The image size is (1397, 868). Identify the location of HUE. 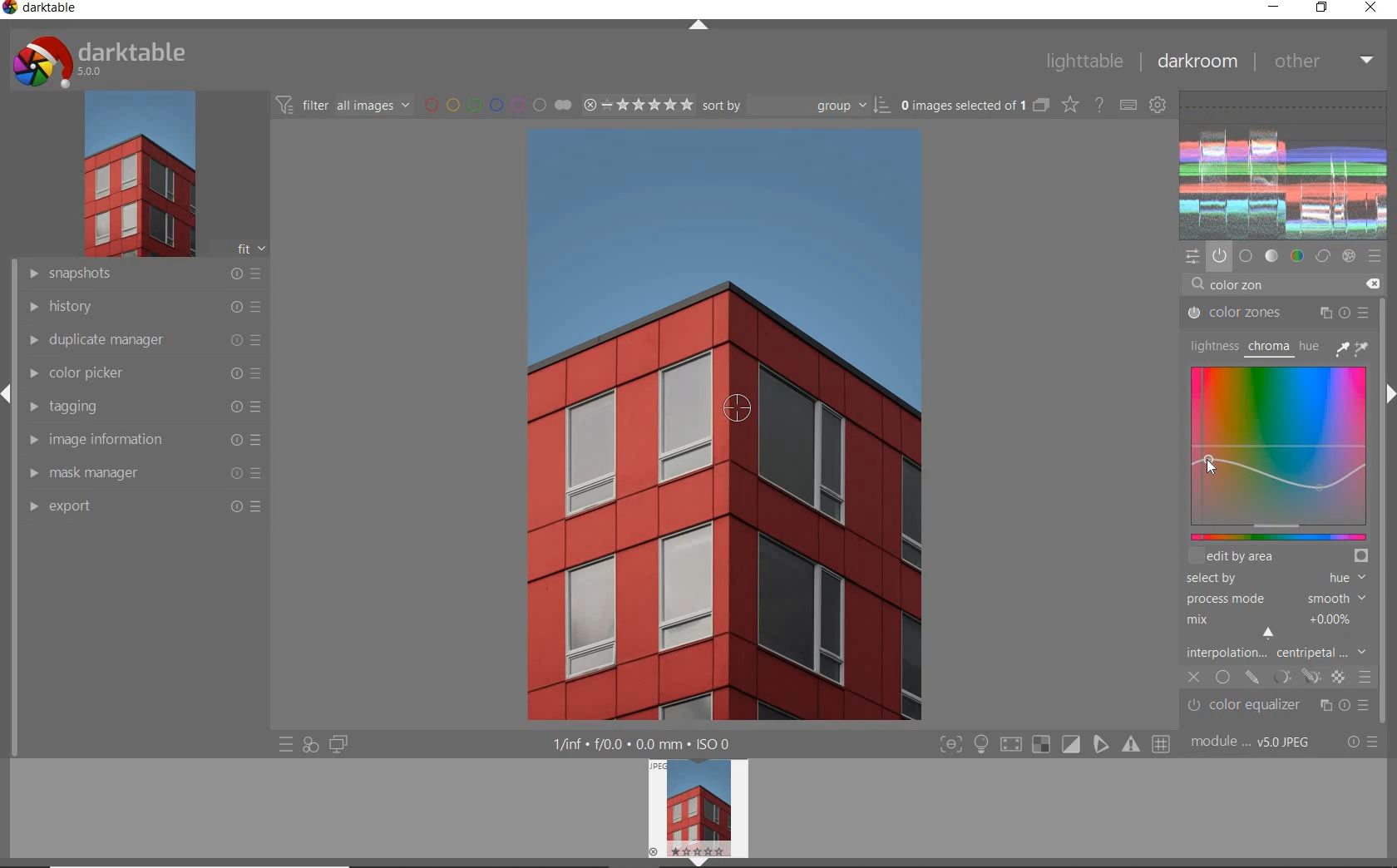
(1307, 345).